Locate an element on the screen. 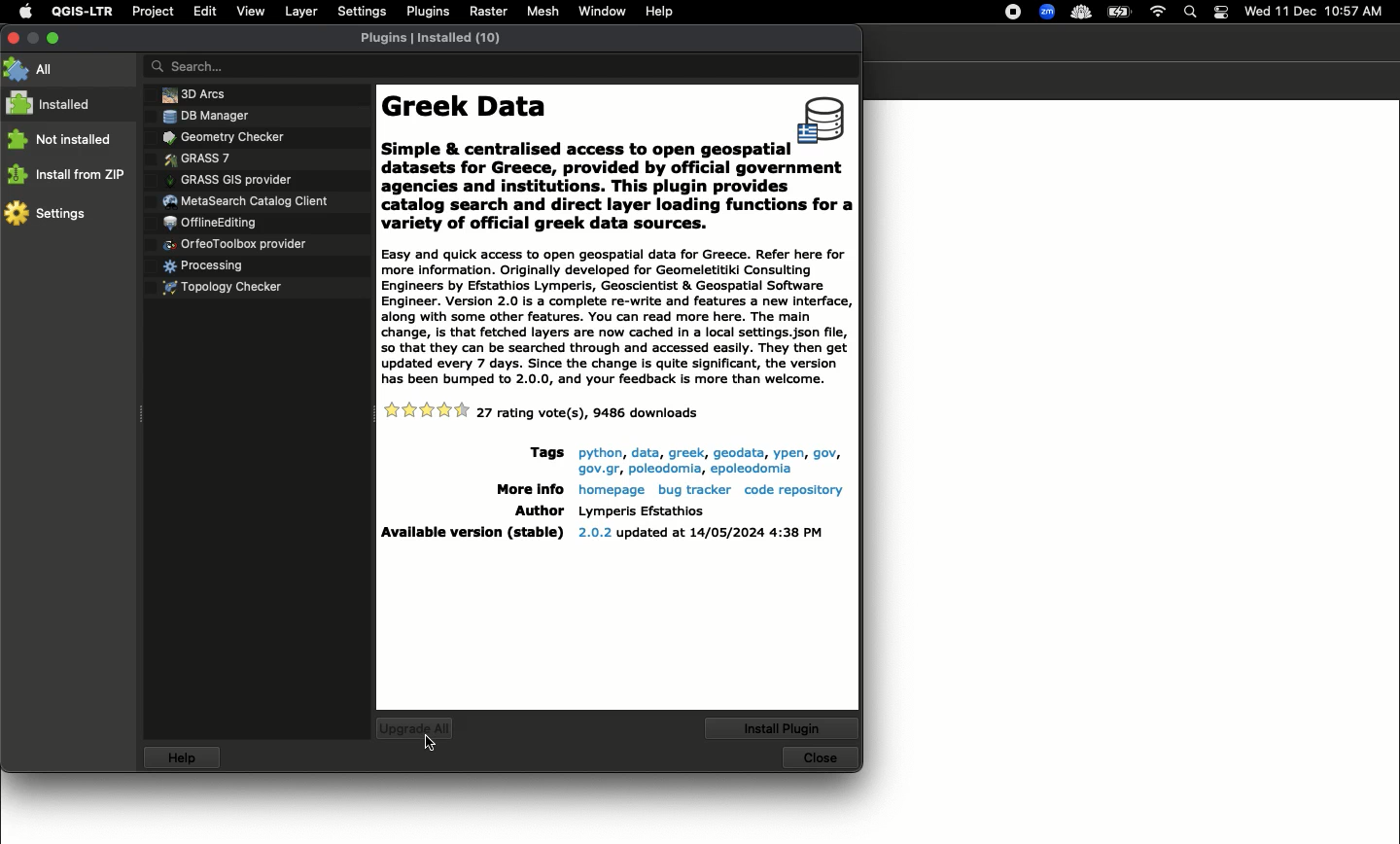 Image resolution: width=1400 pixels, height=844 pixels. geodata, is located at coordinates (737, 453).